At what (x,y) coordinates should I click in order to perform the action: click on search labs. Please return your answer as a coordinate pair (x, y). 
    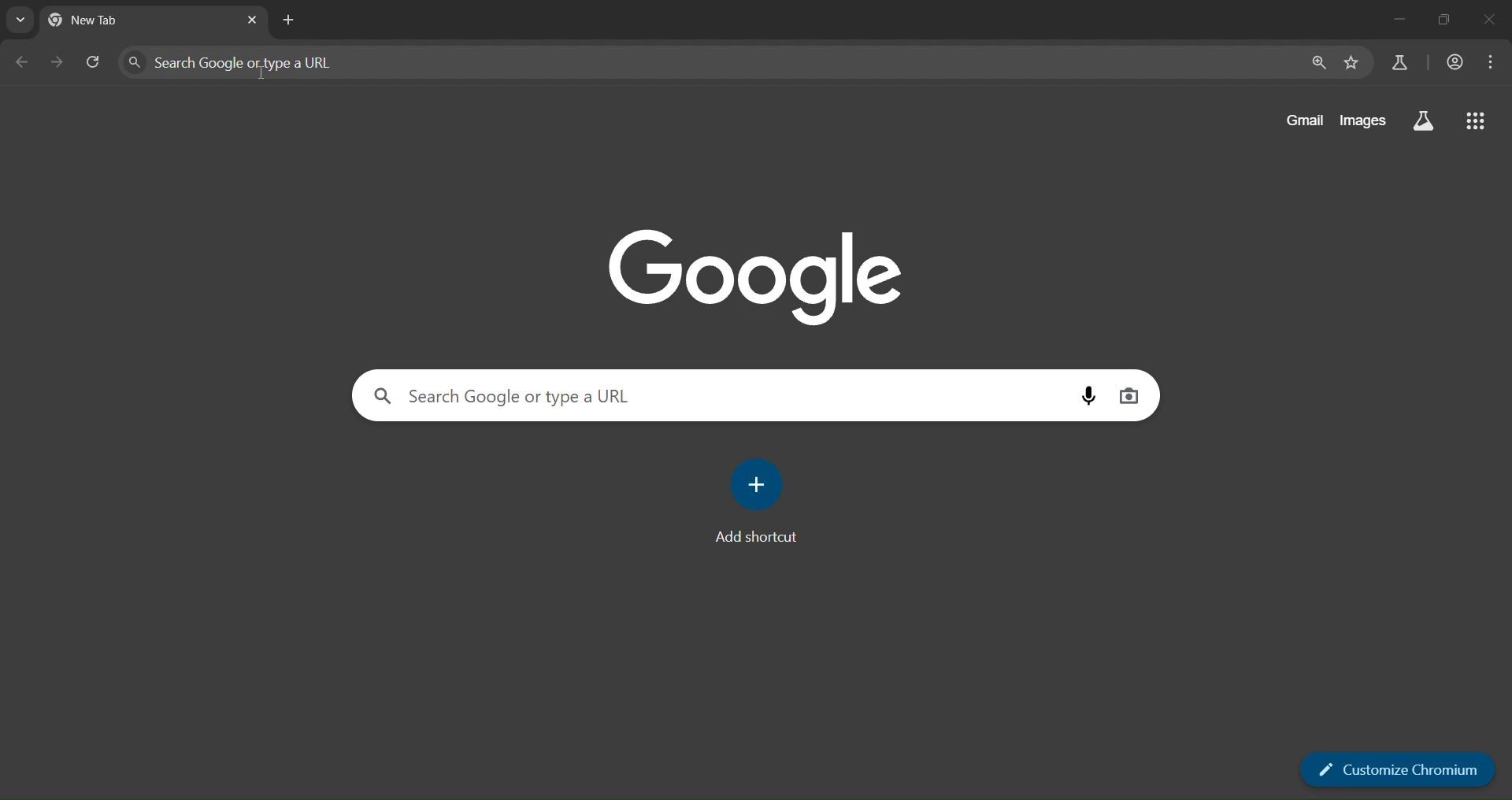
    Looking at the image, I should click on (1422, 122).